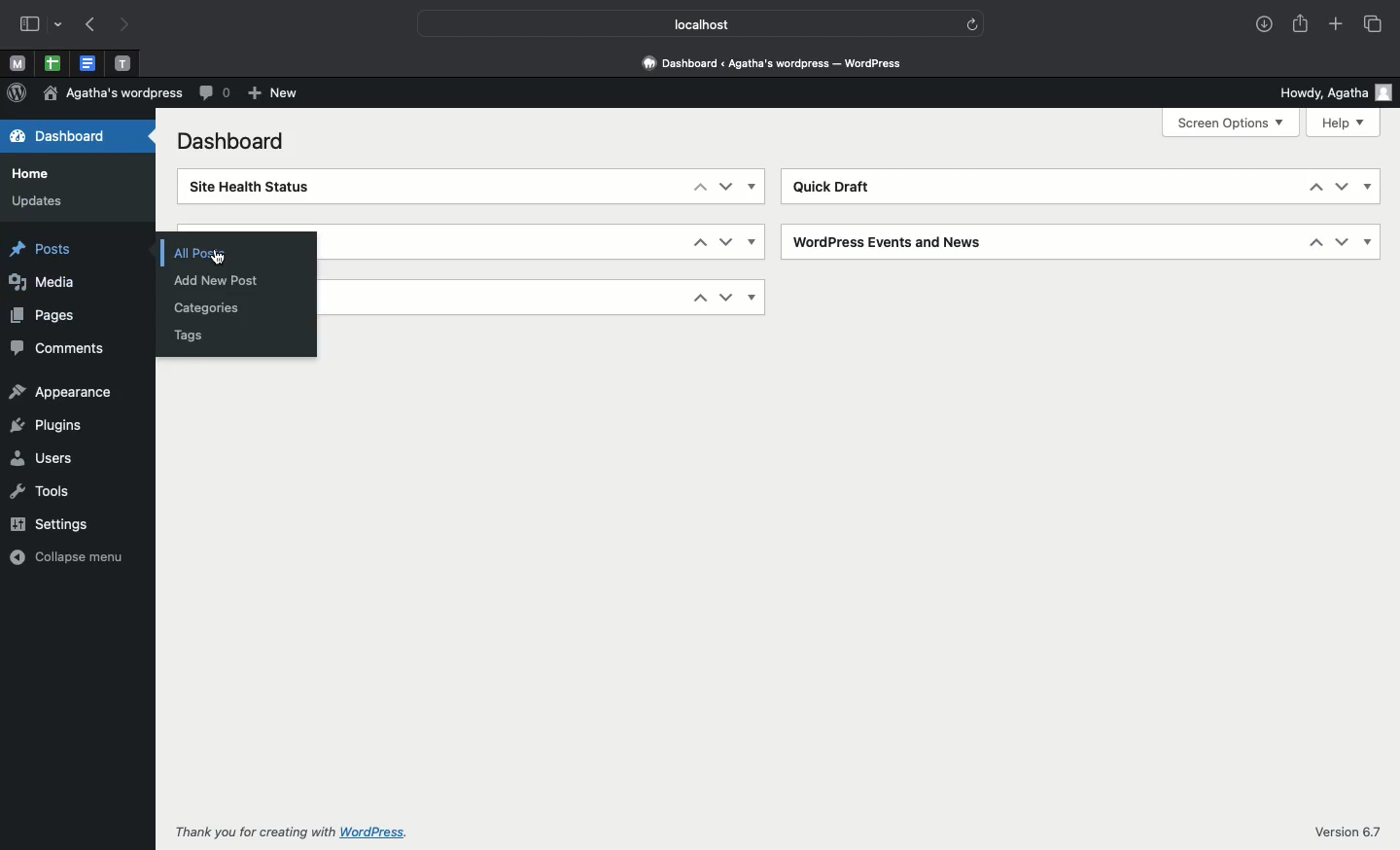 The height and width of the screenshot is (850, 1400). What do you see at coordinates (219, 258) in the screenshot?
I see `cursor` at bounding box center [219, 258].